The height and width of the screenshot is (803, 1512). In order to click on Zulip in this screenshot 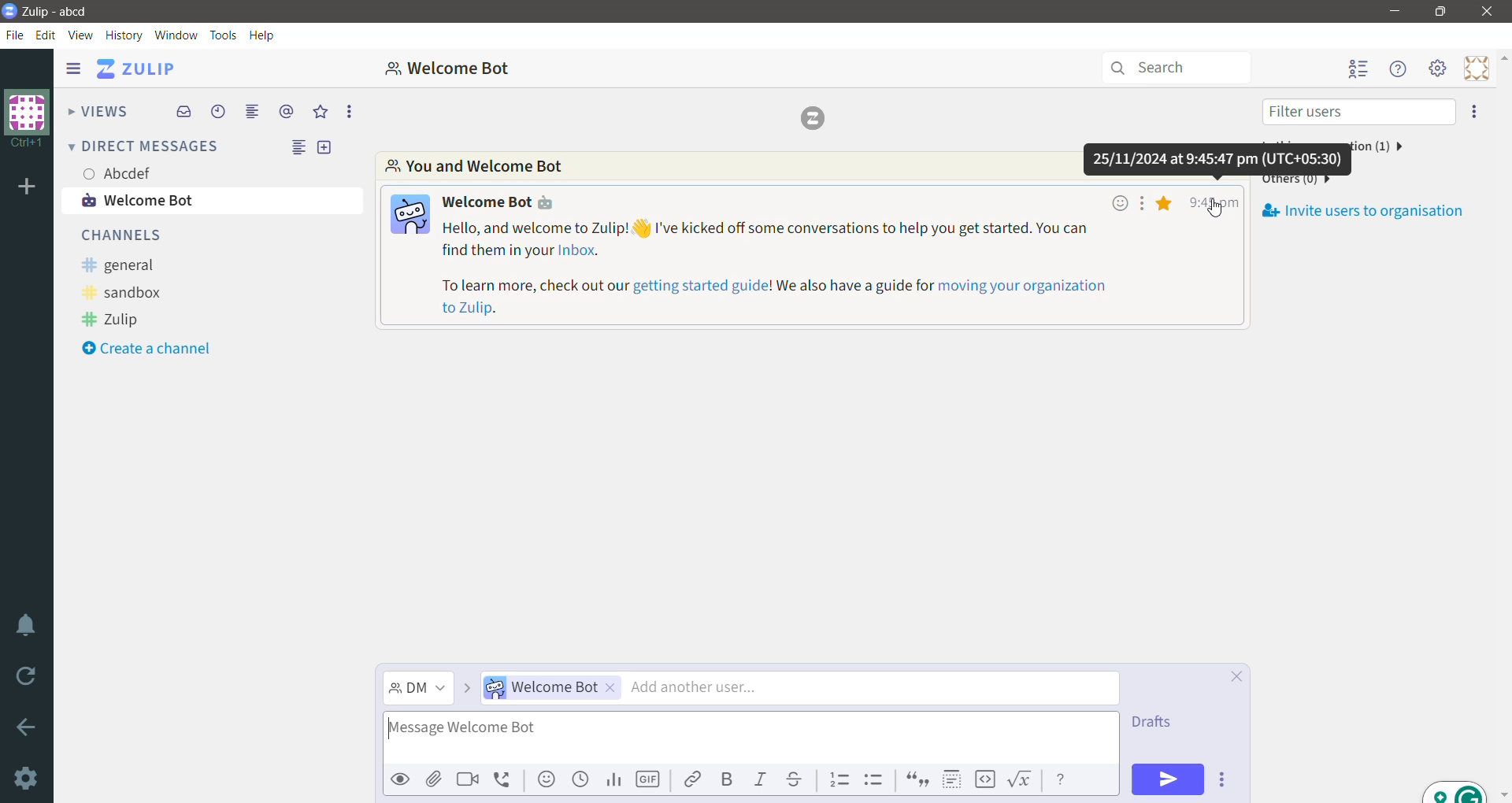, I will do `click(117, 320)`.